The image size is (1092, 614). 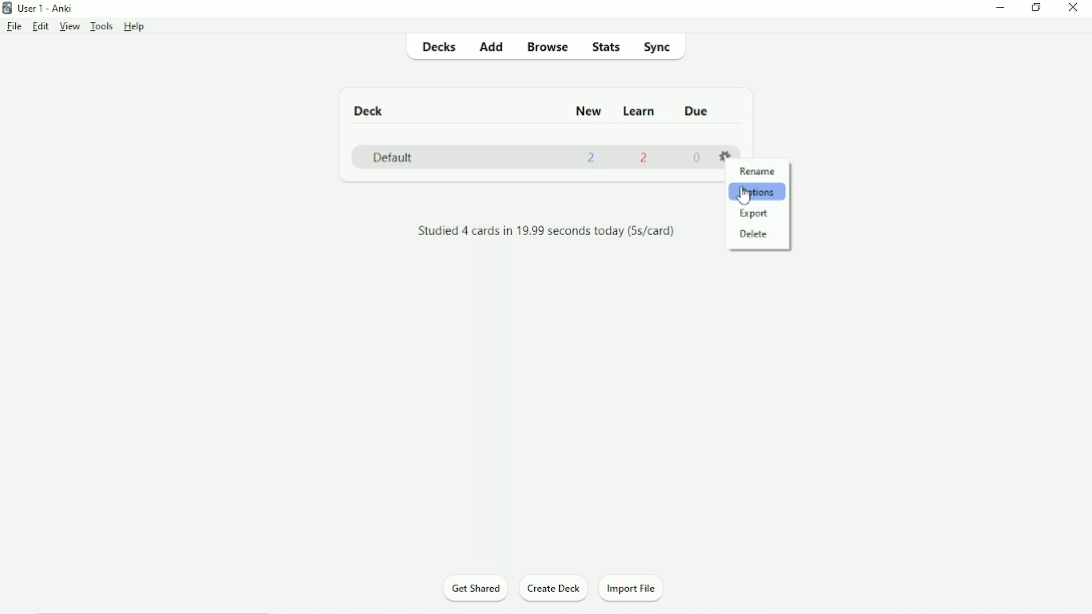 What do you see at coordinates (759, 234) in the screenshot?
I see `Delete` at bounding box center [759, 234].